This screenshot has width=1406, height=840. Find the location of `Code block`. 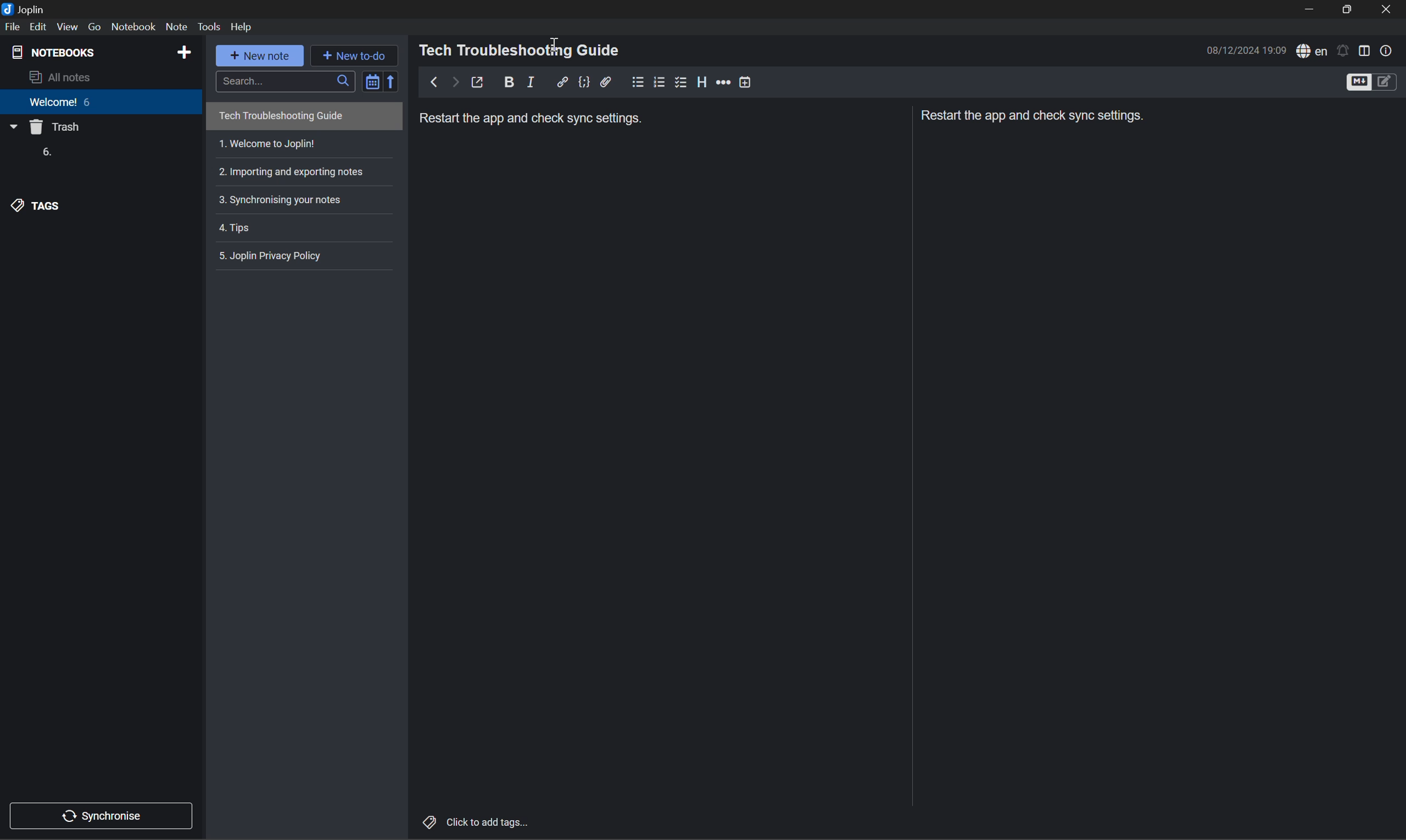

Code block is located at coordinates (584, 82).